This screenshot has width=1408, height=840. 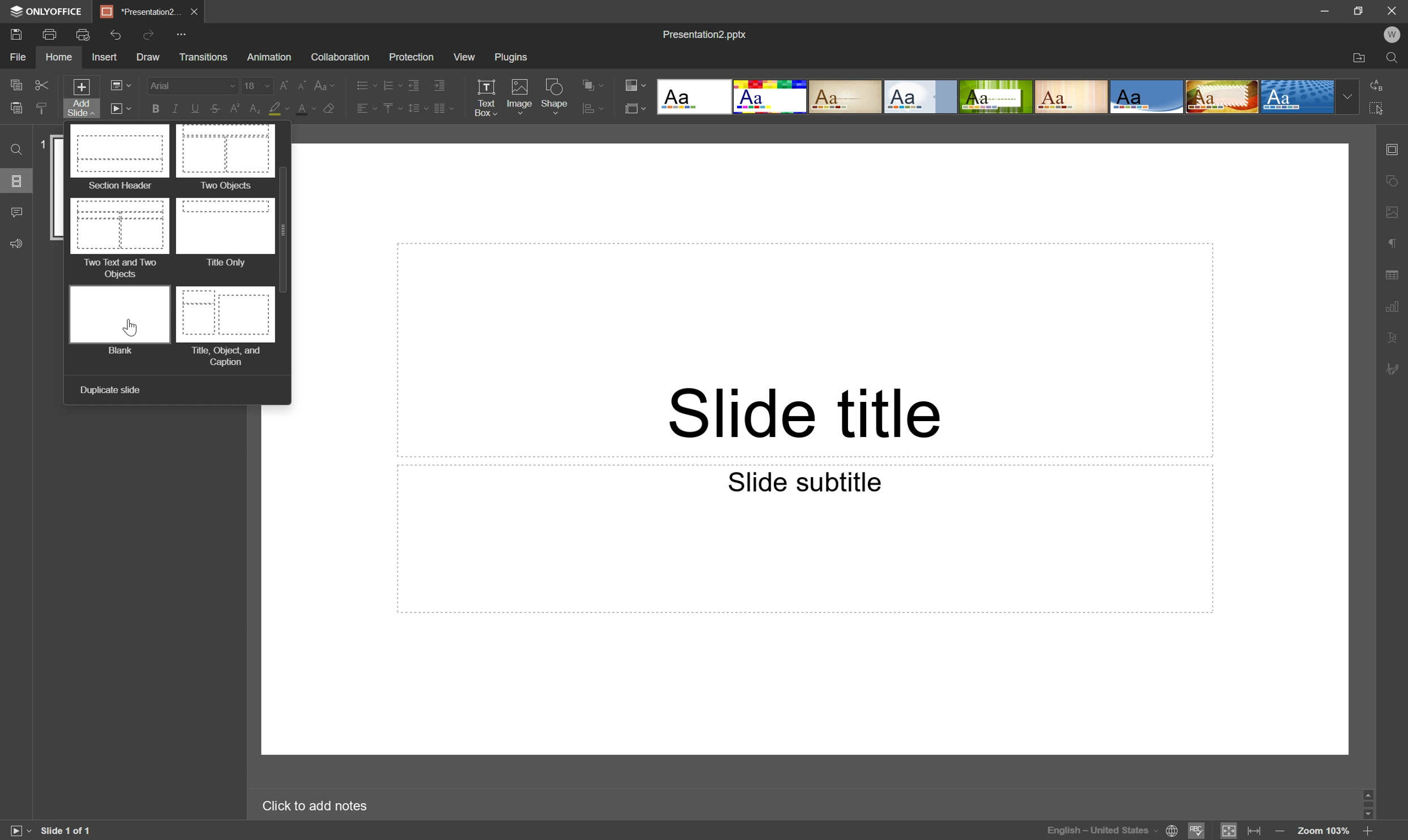 I want to click on Italic, so click(x=173, y=110).